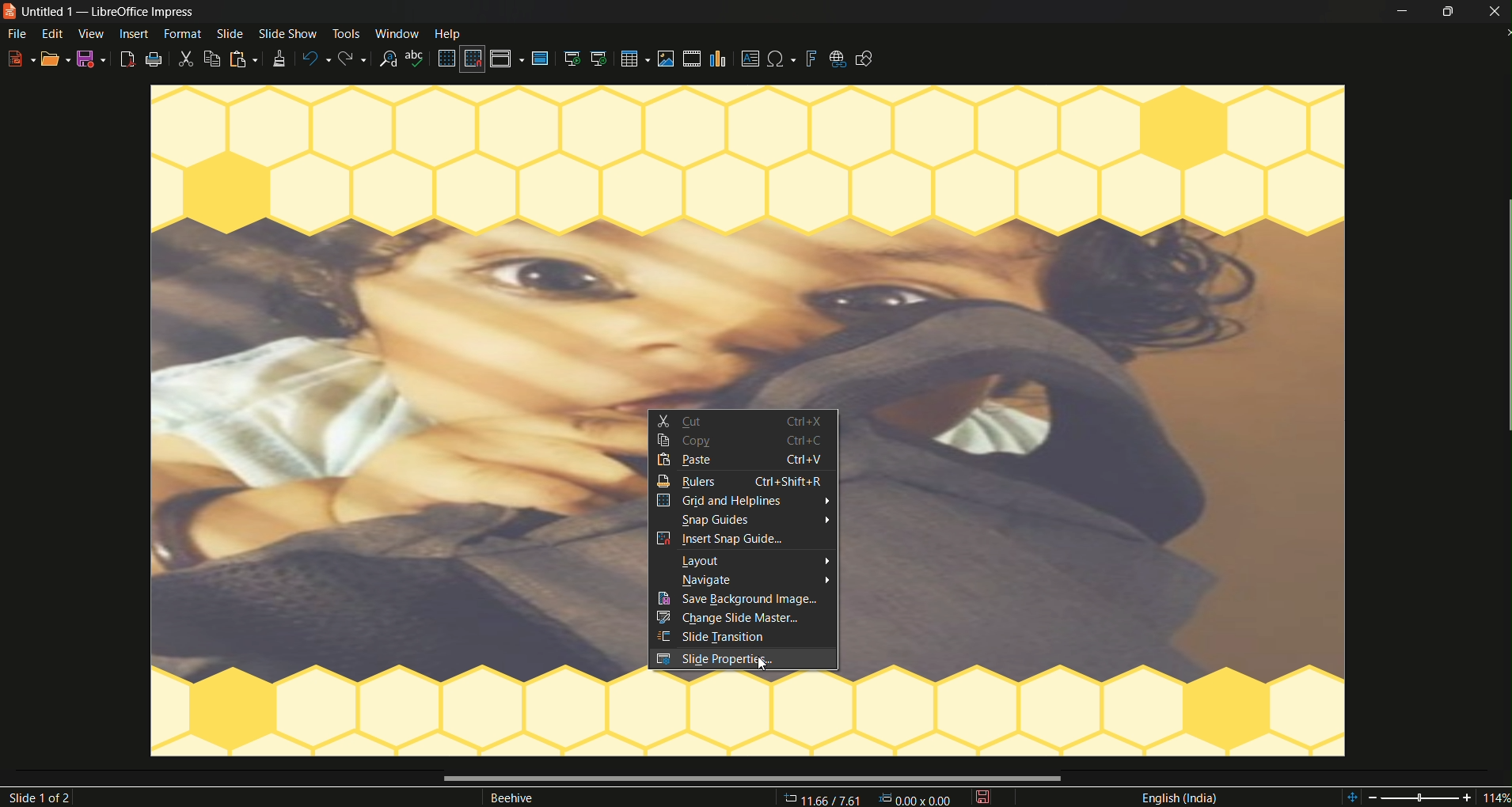 The height and width of the screenshot is (807, 1512). Describe the element at coordinates (287, 34) in the screenshot. I see `slide show` at that location.